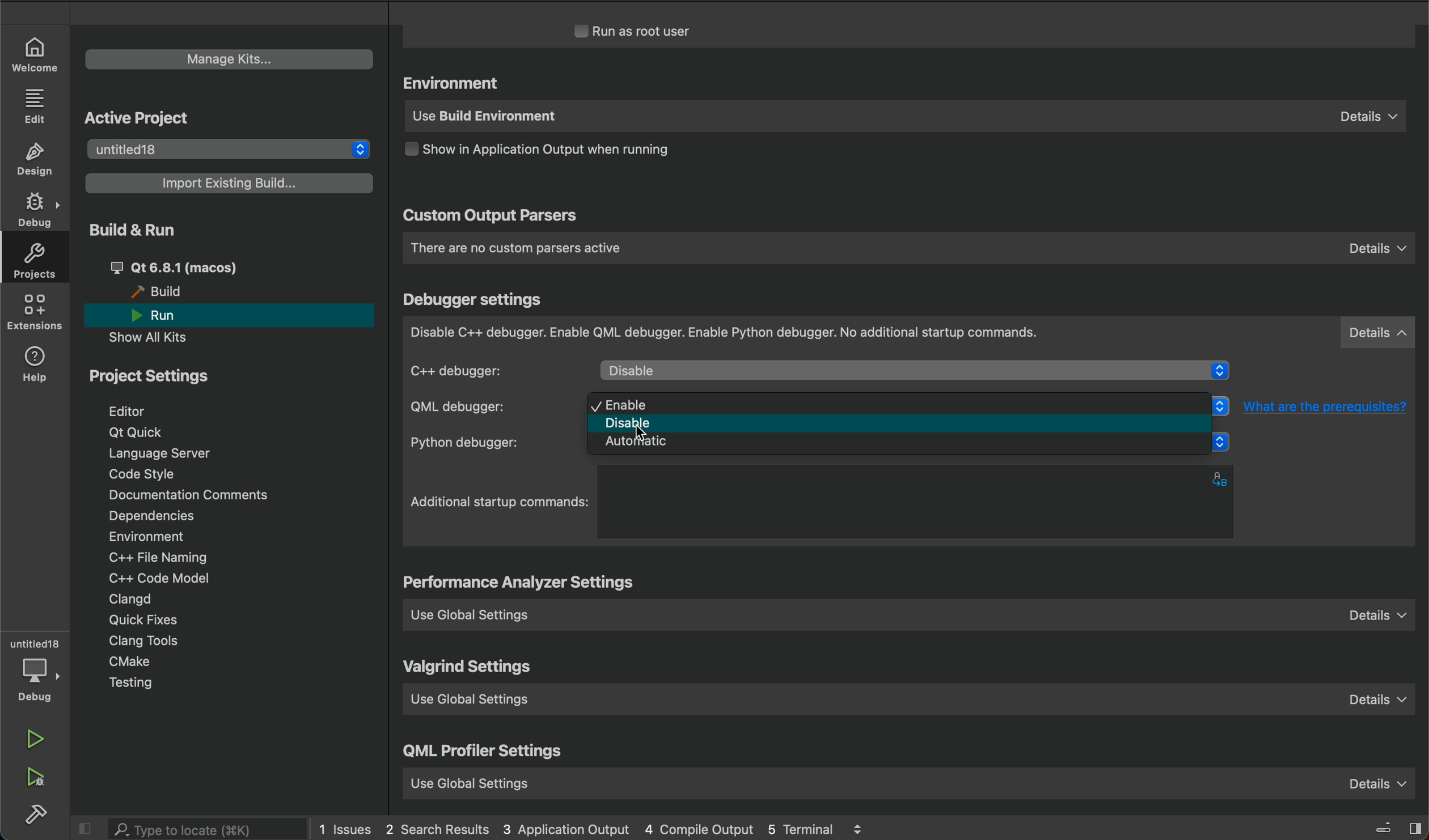 Image resolution: width=1429 pixels, height=840 pixels. Describe the element at coordinates (490, 217) in the screenshot. I see `custom` at that location.